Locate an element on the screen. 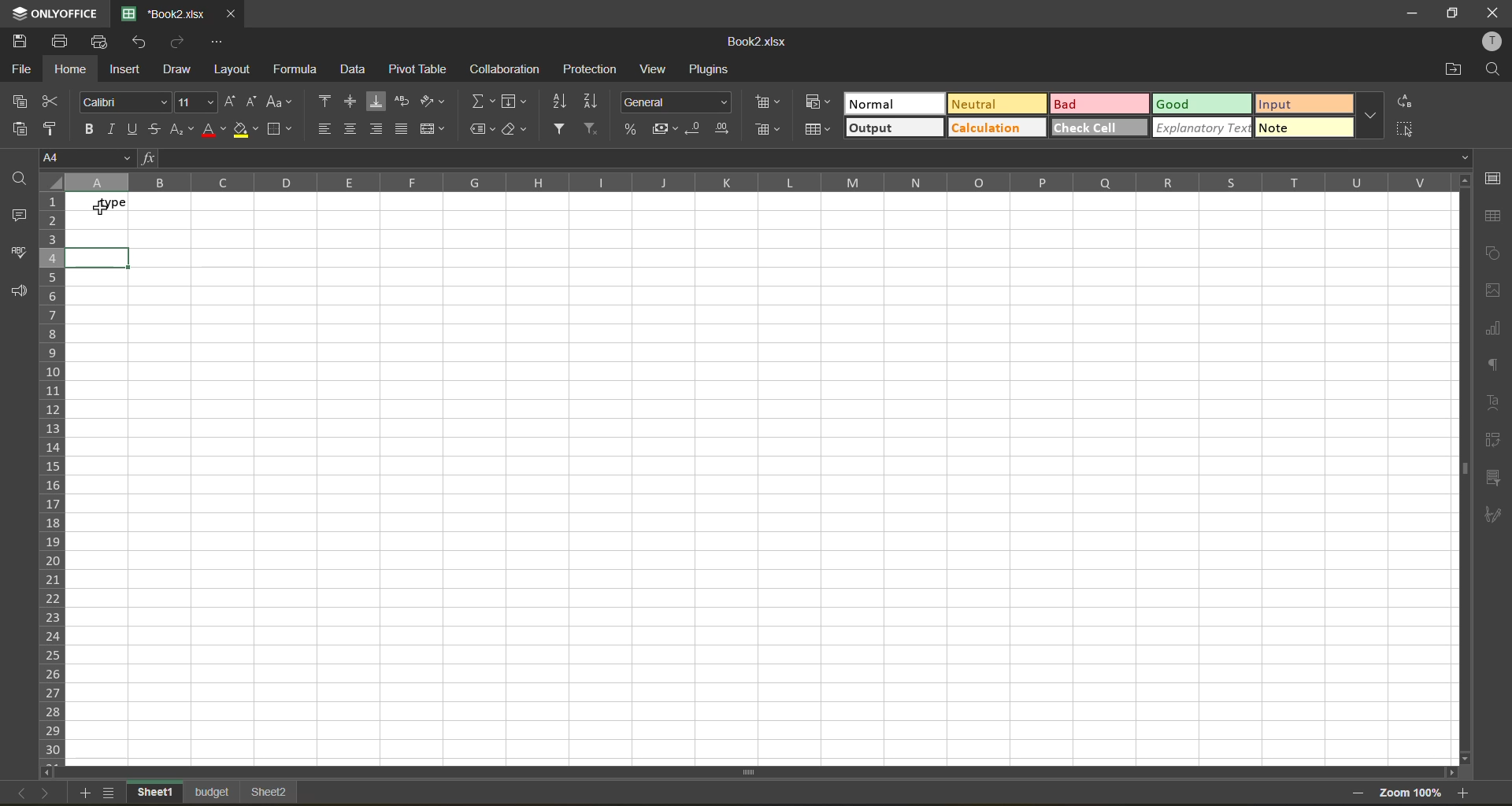 The height and width of the screenshot is (806, 1512). justified is located at coordinates (402, 129).